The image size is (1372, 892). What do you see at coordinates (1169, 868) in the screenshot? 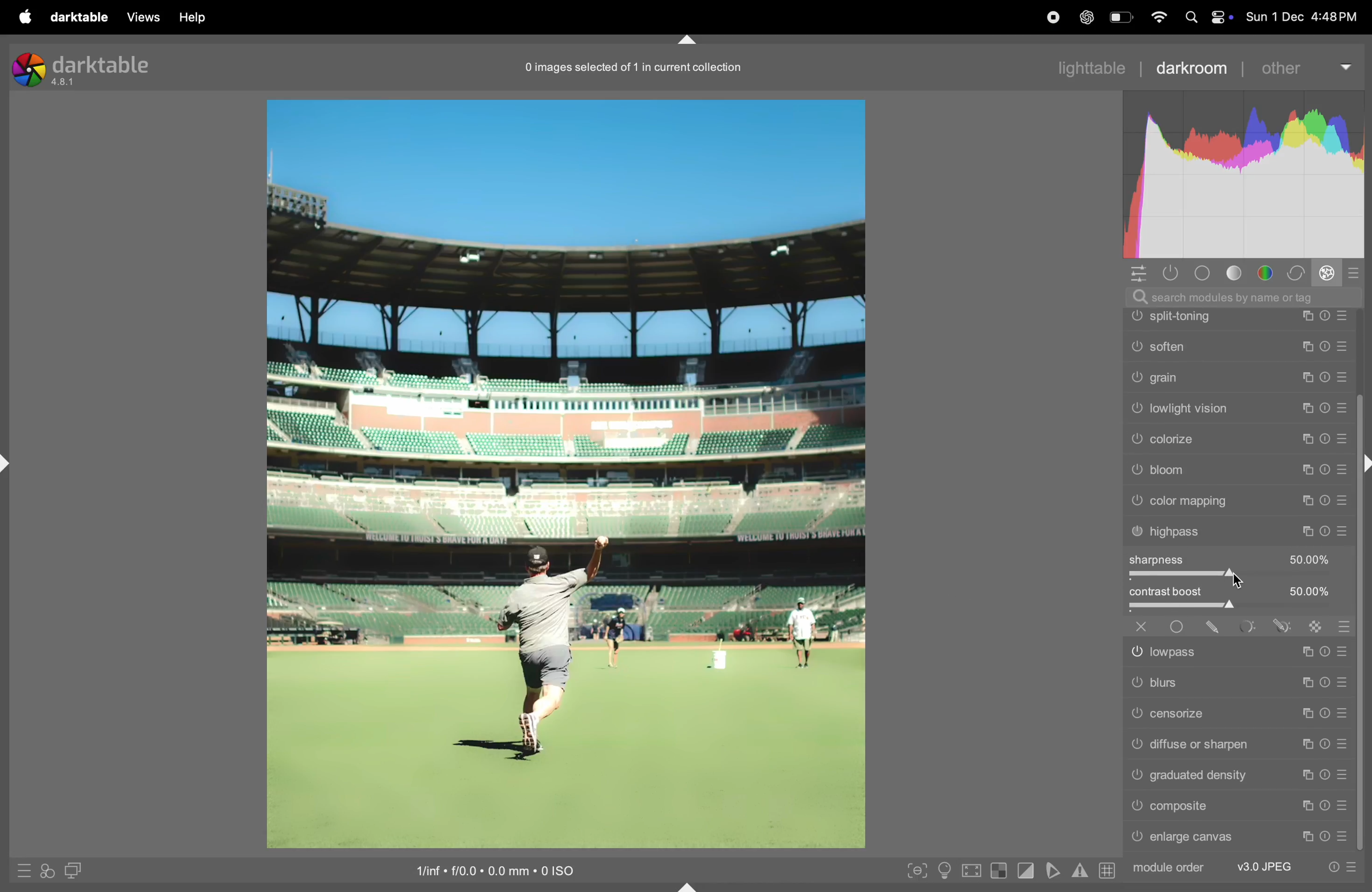
I see `module order` at bounding box center [1169, 868].